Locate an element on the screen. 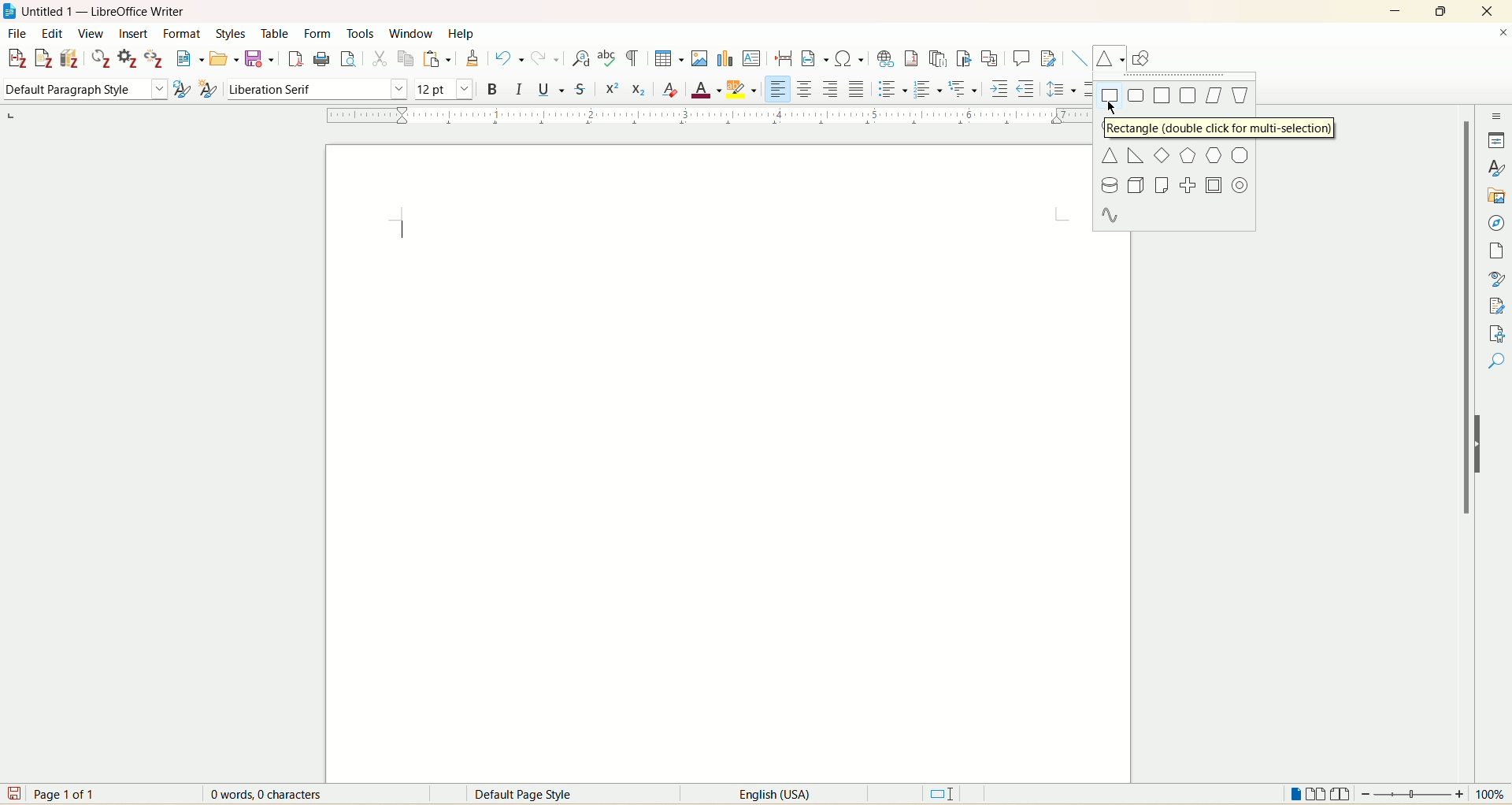 Image resolution: width=1512 pixels, height=805 pixels. increase indent is located at coordinates (1000, 88).